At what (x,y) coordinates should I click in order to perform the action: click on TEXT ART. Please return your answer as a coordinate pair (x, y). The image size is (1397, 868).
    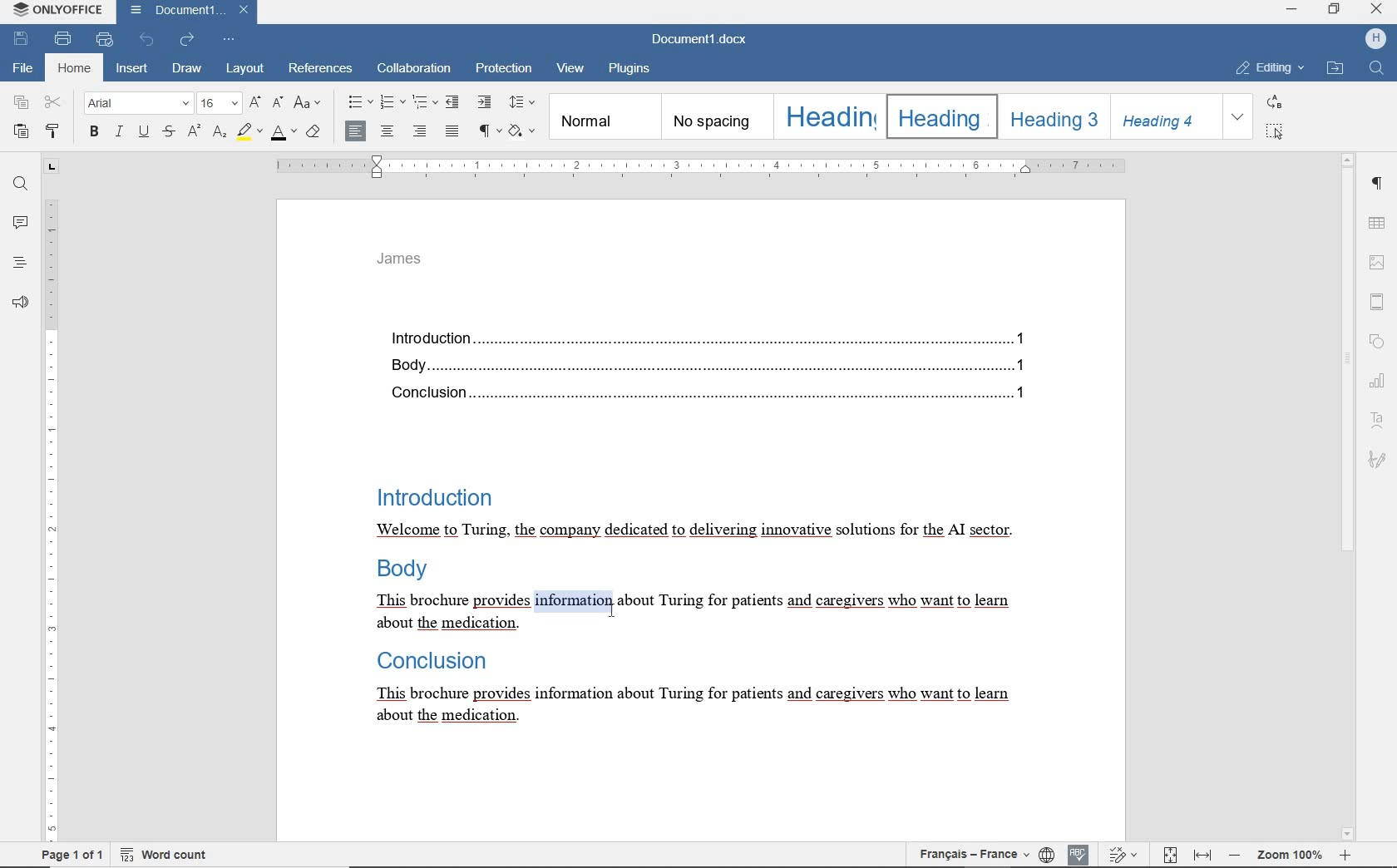
    Looking at the image, I should click on (1379, 419).